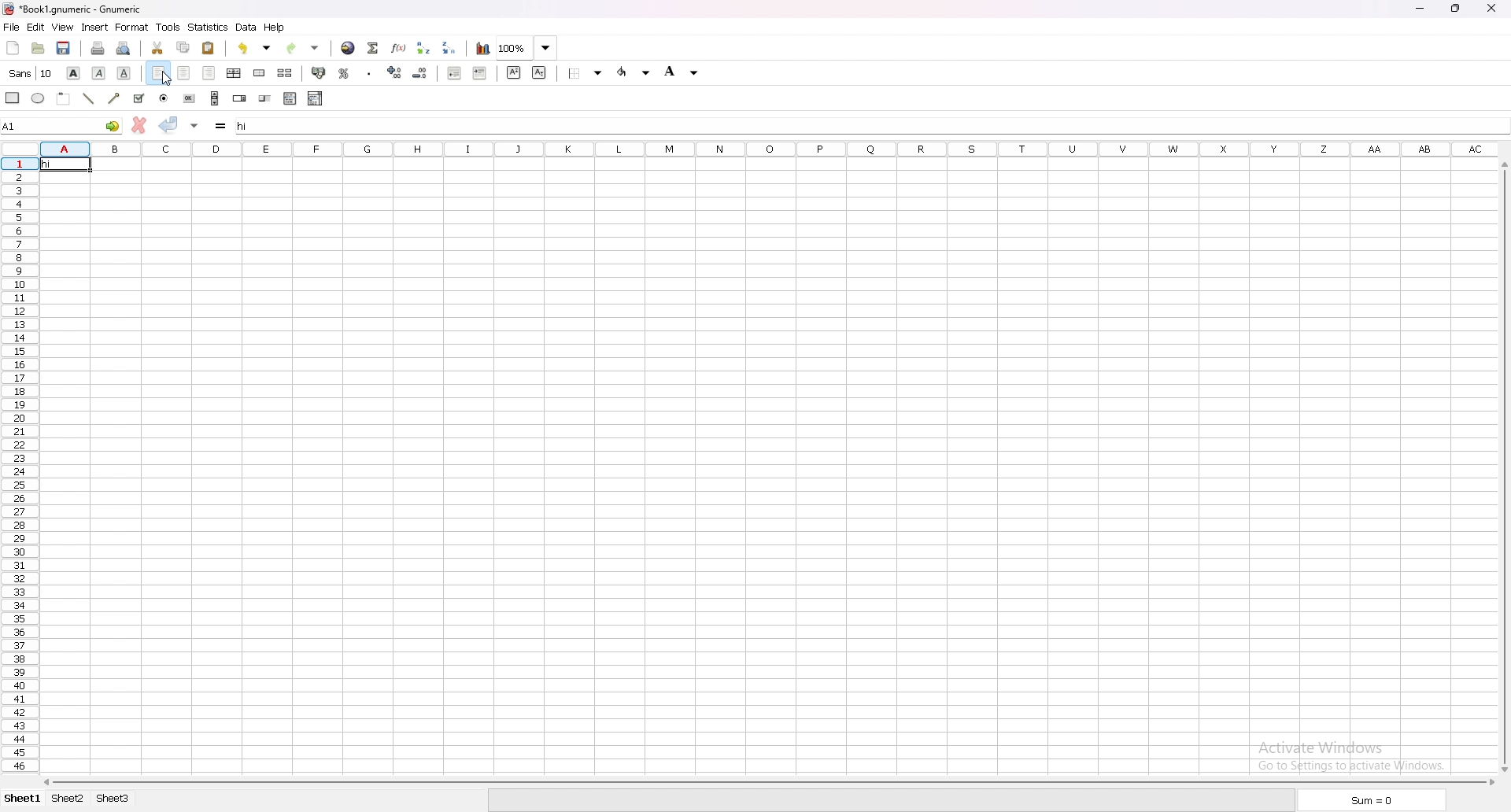 Image resolution: width=1511 pixels, height=812 pixels. Describe the element at coordinates (209, 47) in the screenshot. I see `paste` at that location.